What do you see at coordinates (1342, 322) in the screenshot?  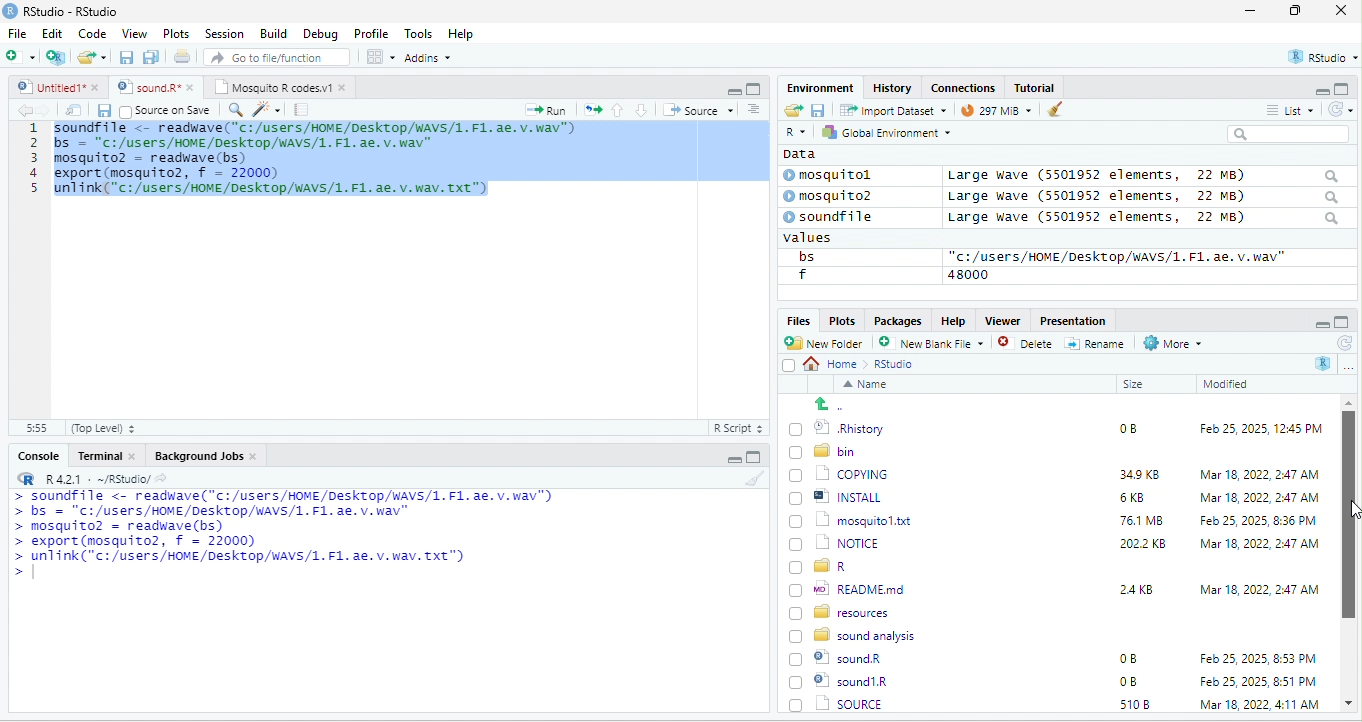 I see `maximize` at bounding box center [1342, 322].